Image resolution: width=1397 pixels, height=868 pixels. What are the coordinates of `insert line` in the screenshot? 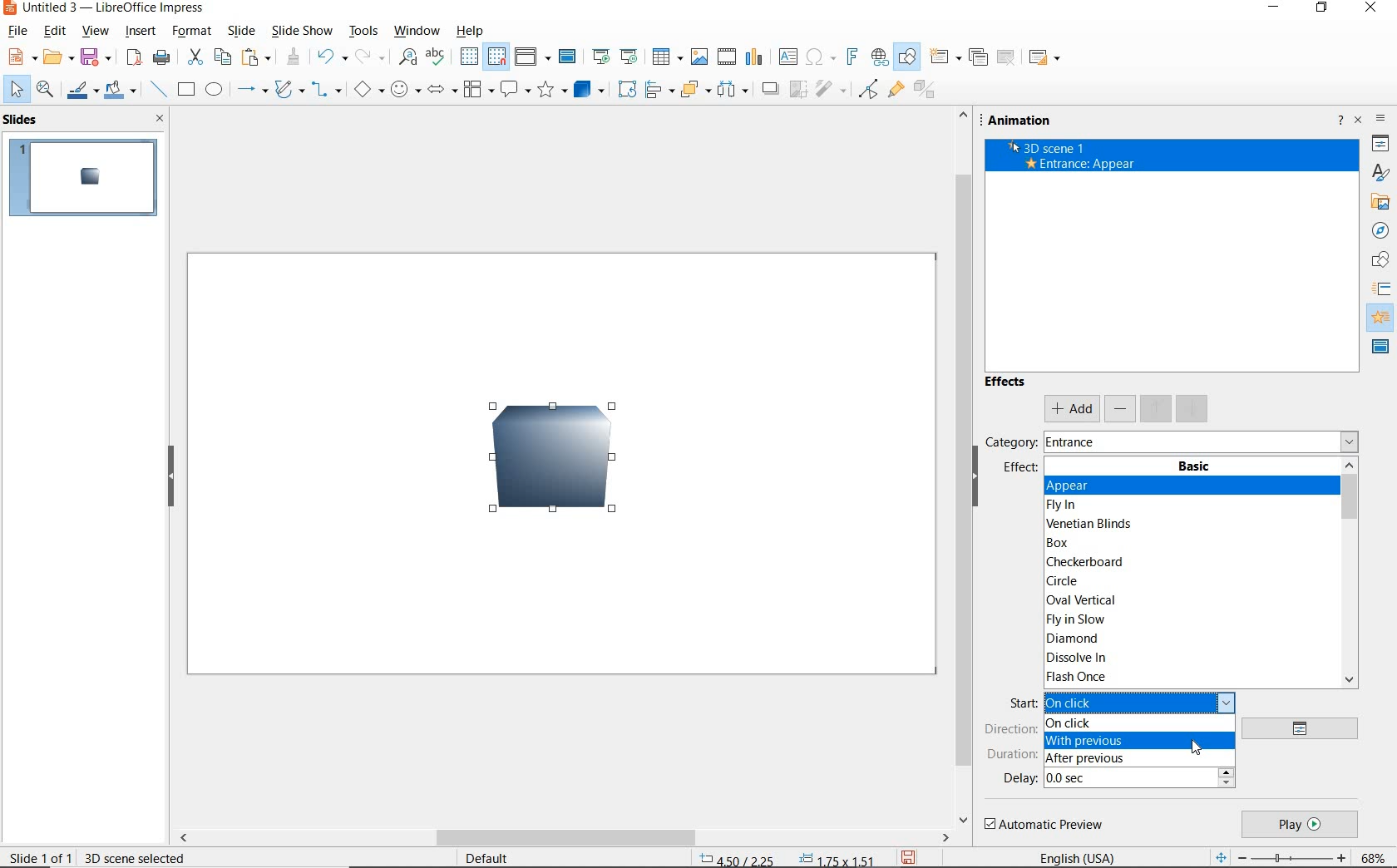 It's located at (159, 90).